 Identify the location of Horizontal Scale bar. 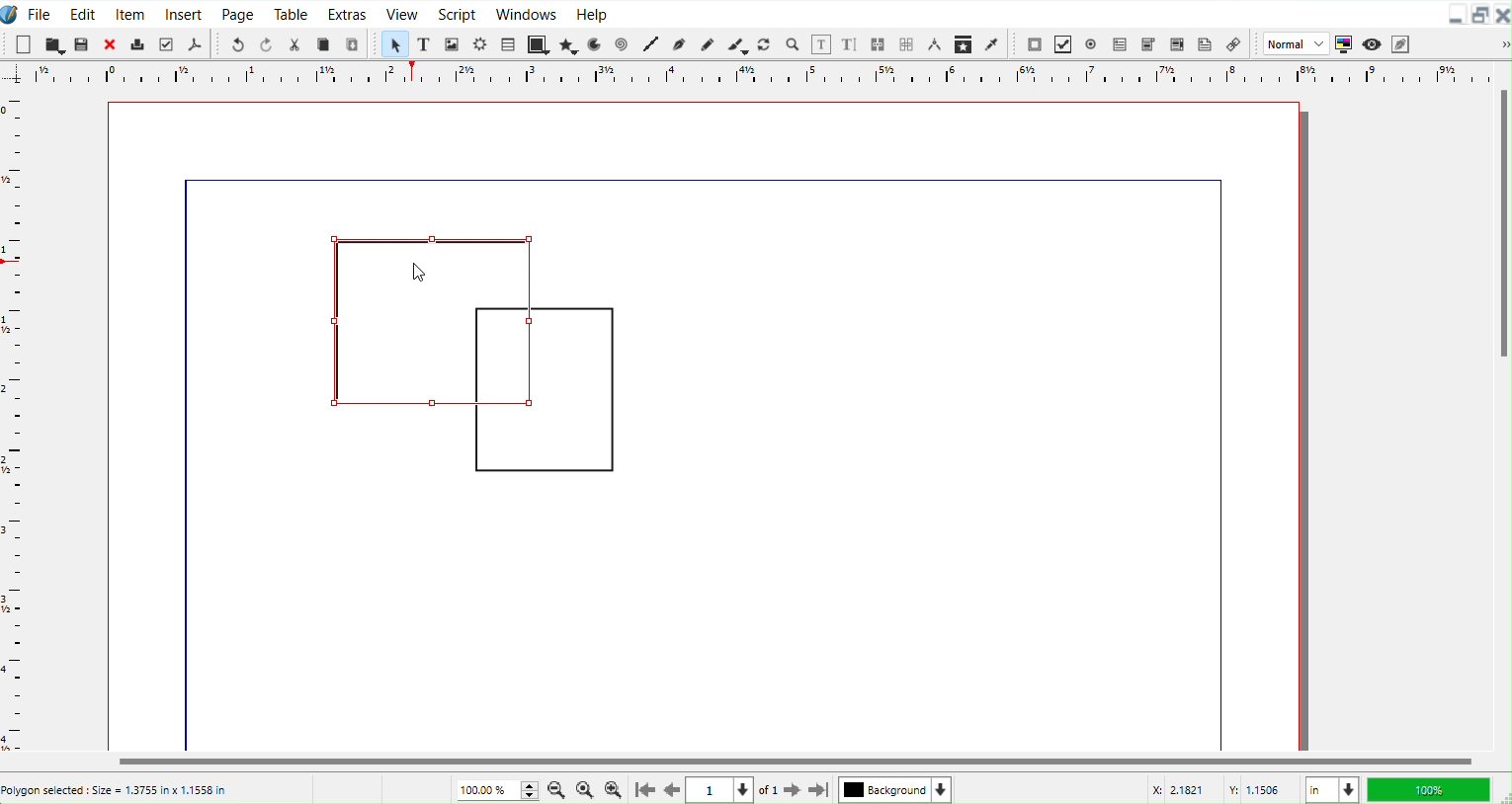
(15, 423).